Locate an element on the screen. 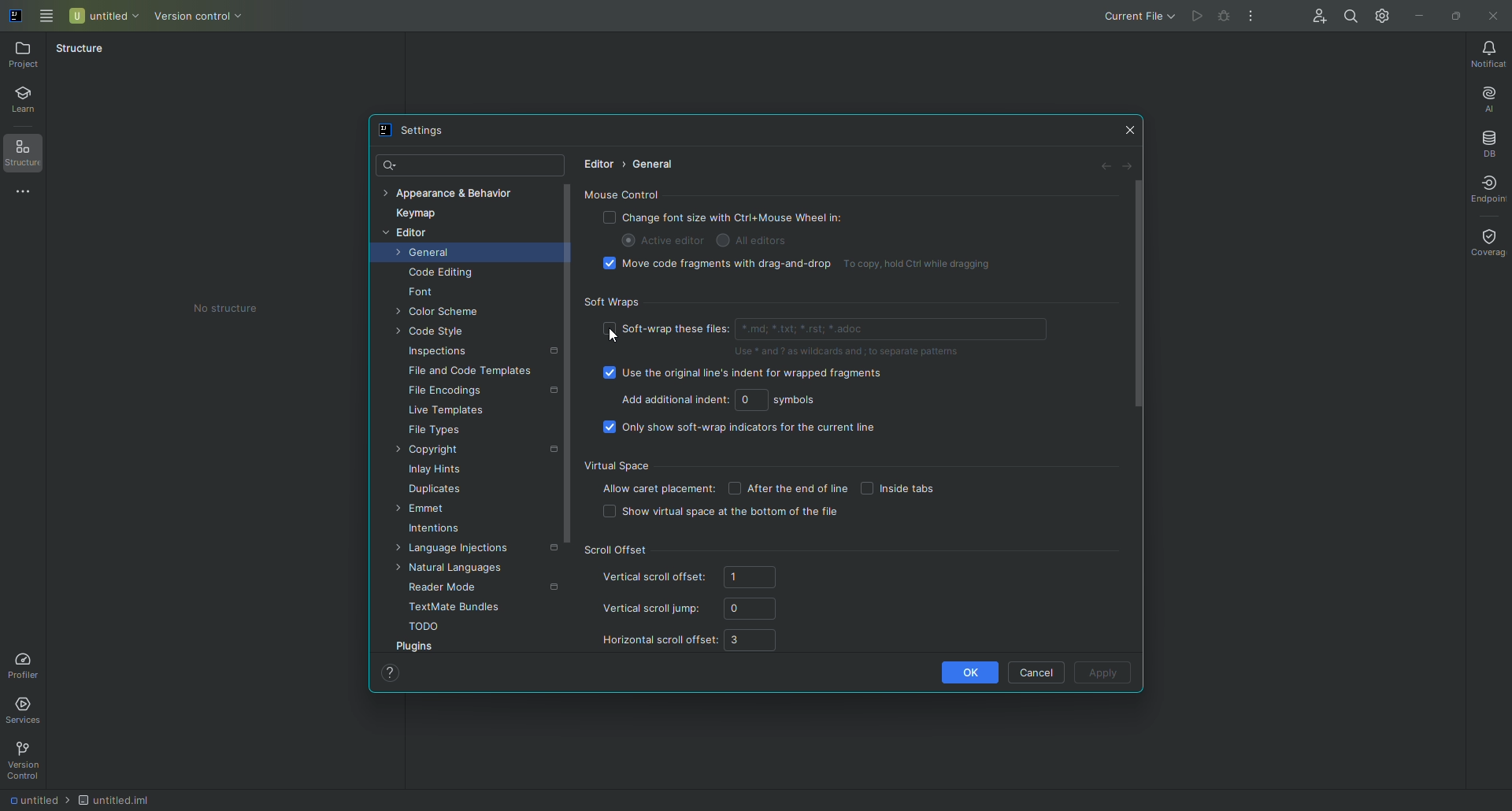 This screenshot has height=811, width=1512. Notifications is located at coordinates (1486, 52).